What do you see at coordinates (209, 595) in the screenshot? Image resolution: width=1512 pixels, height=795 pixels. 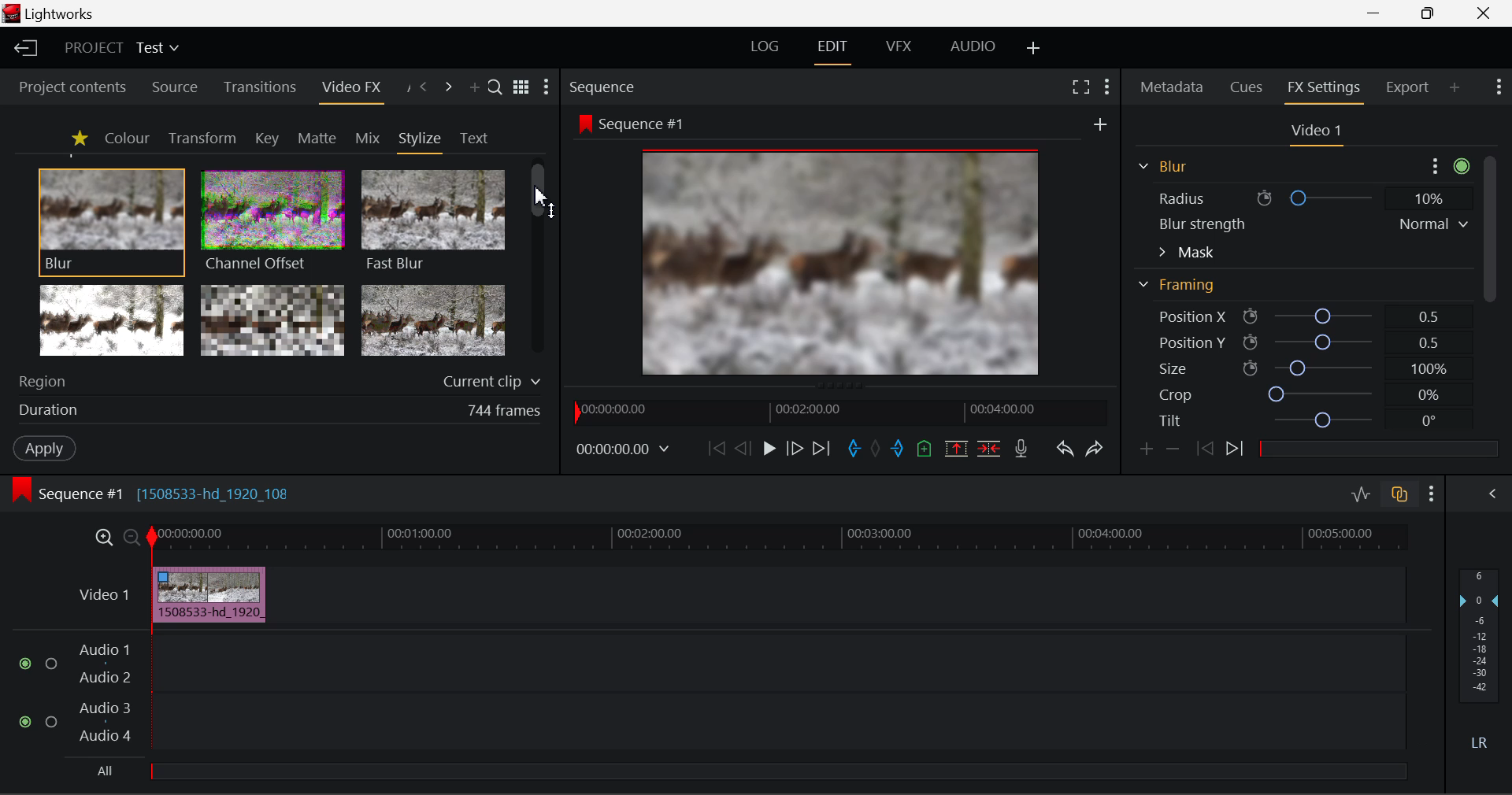 I see `Cursor DRAG_TO Effect on Clip` at bounding box center [209, 595].